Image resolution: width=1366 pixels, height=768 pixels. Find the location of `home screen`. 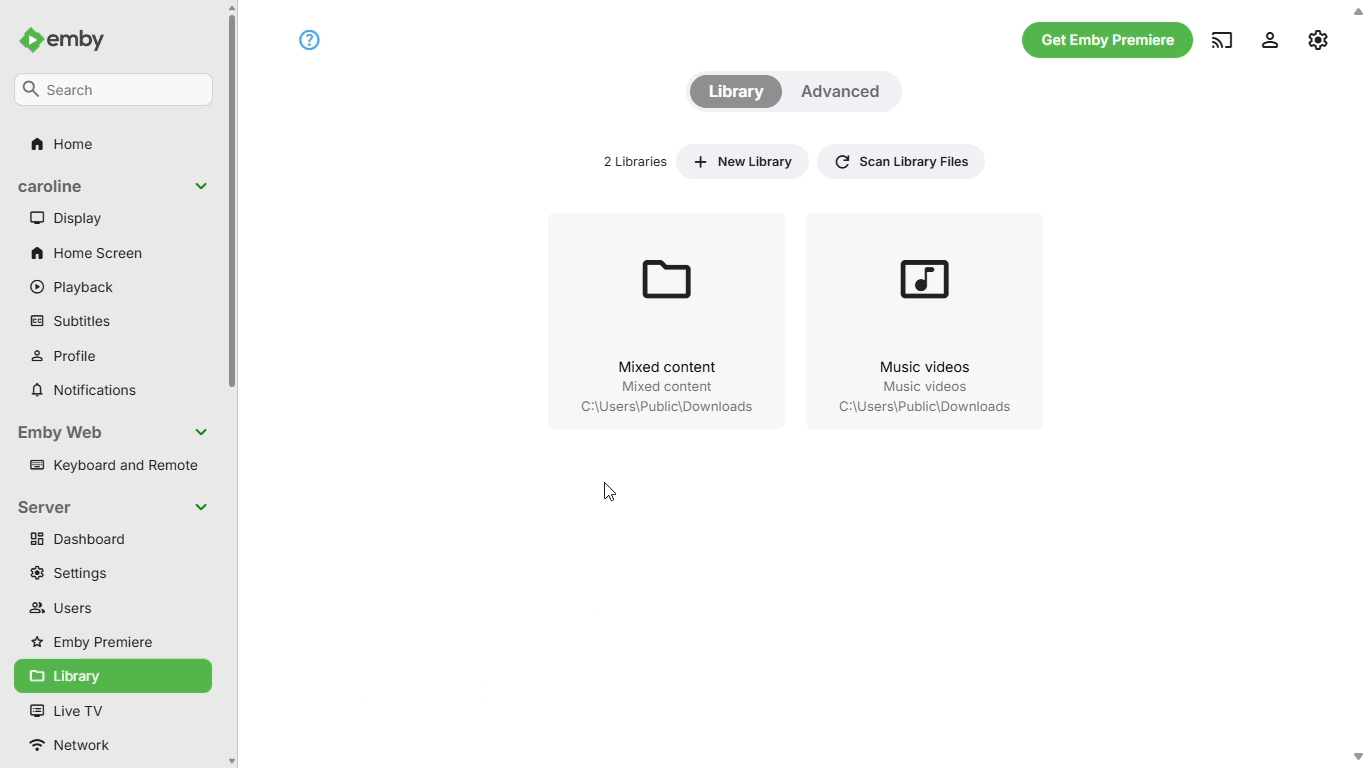

home screen is located at coordinates (87, 252).